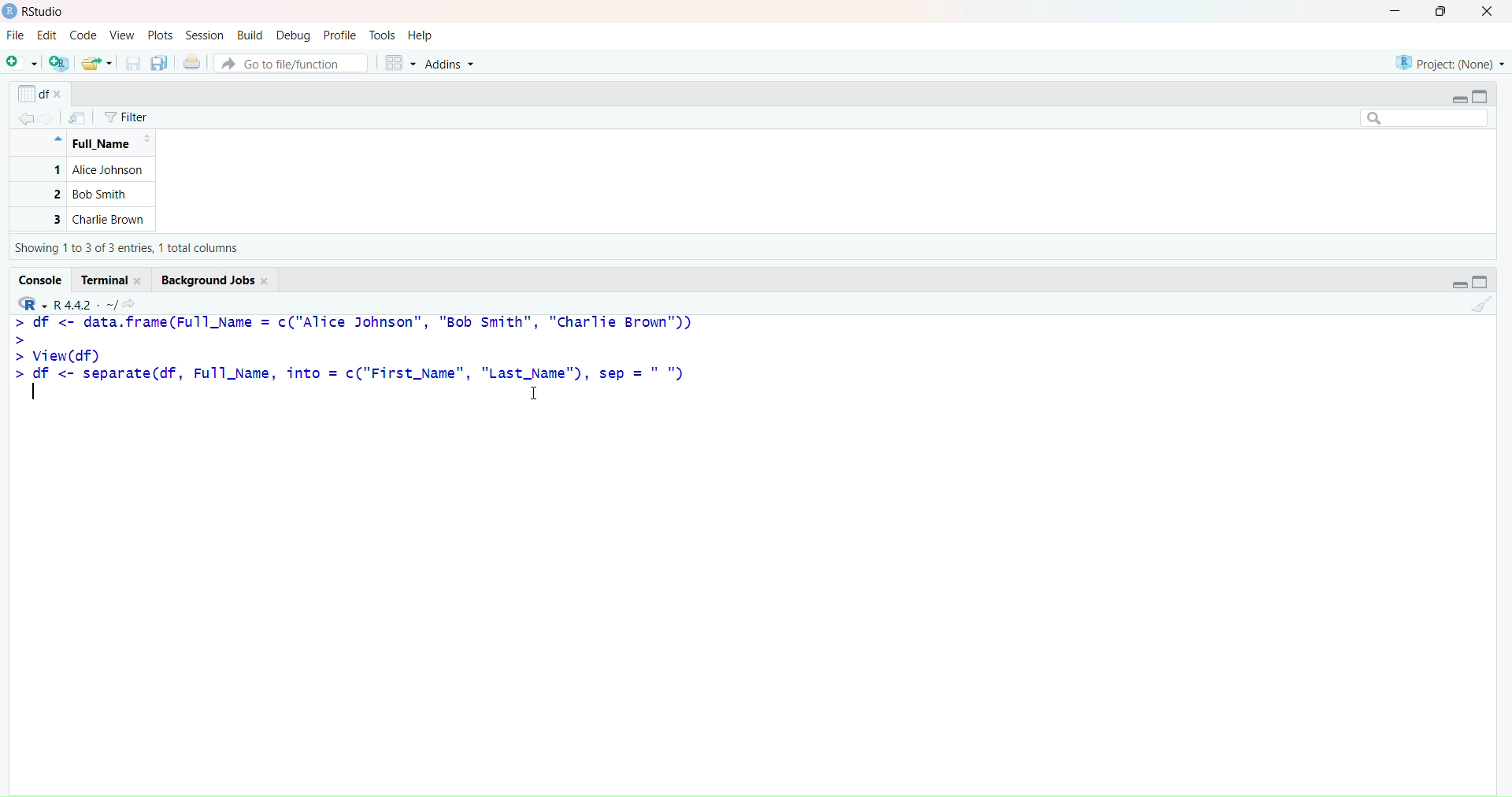 Image resolution: width=1512 pixels, height=797 pixels. I want to click on Clear console (Ctrl + L), so click(1481, 306).